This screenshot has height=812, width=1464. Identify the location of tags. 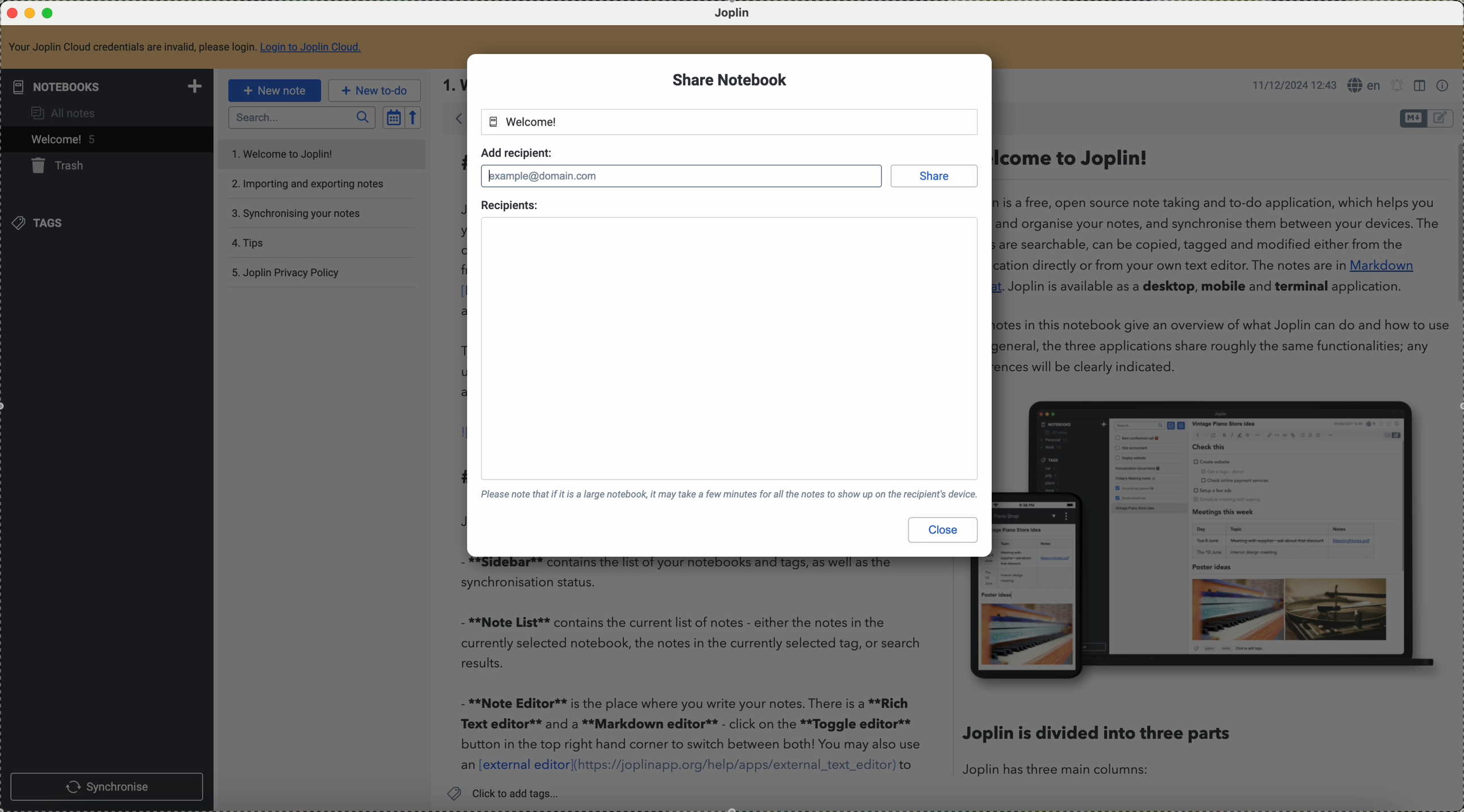
(45, 224).